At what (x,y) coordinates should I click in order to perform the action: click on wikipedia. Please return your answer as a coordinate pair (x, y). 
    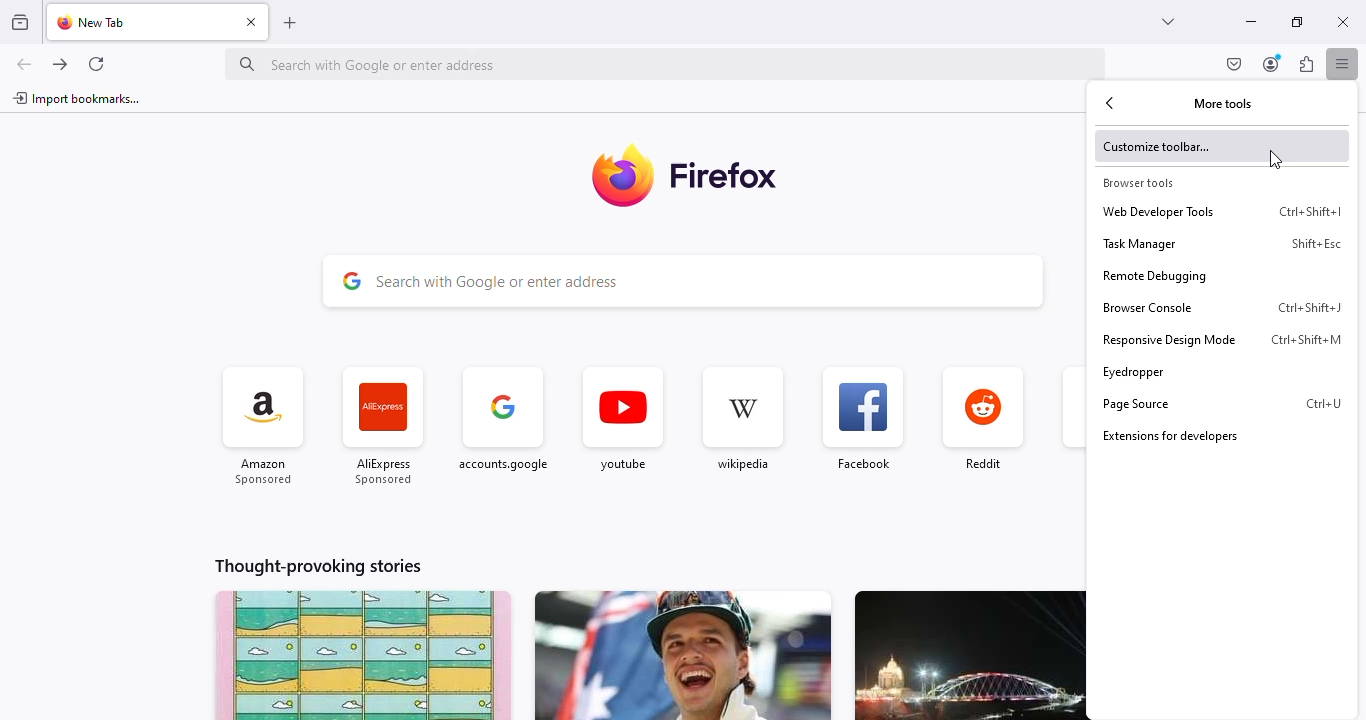
    Looking at the image, I should click on (741, 420).